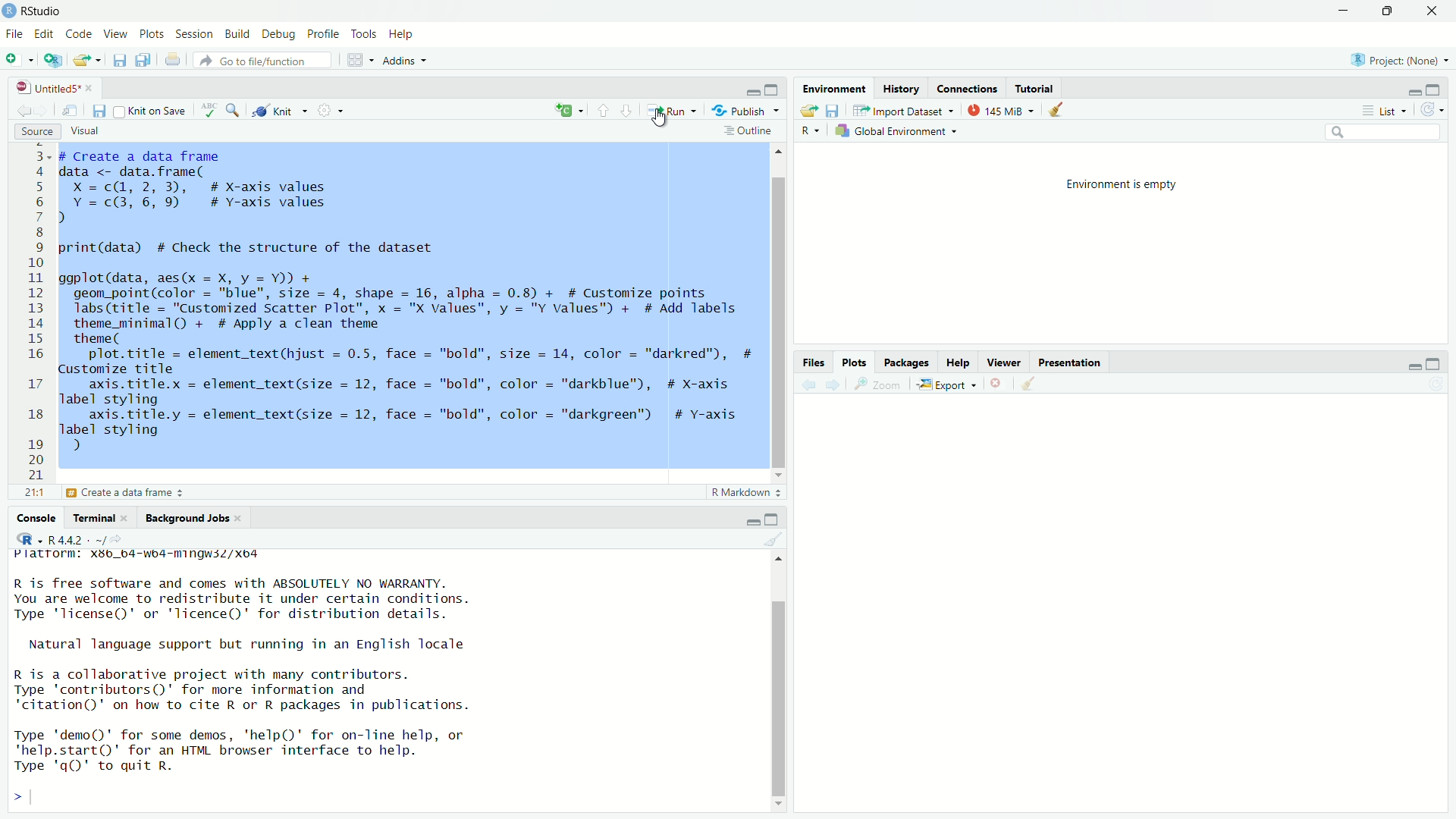 The image size is (1456, 819). I want to click on Save, so click(99, 111).